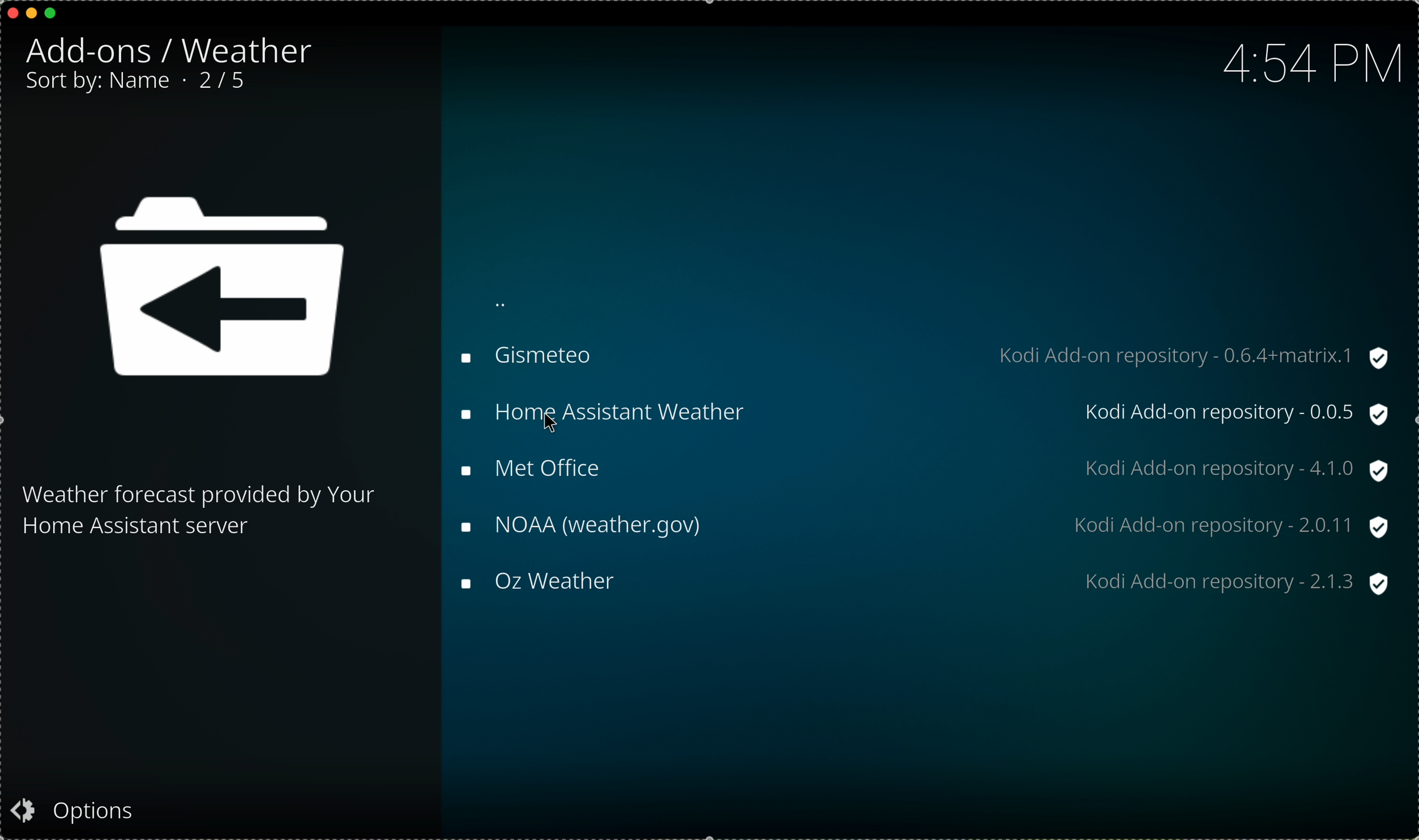 This screenshot has width=1419, height=840. I want to click on maximize, so click(52, 13).